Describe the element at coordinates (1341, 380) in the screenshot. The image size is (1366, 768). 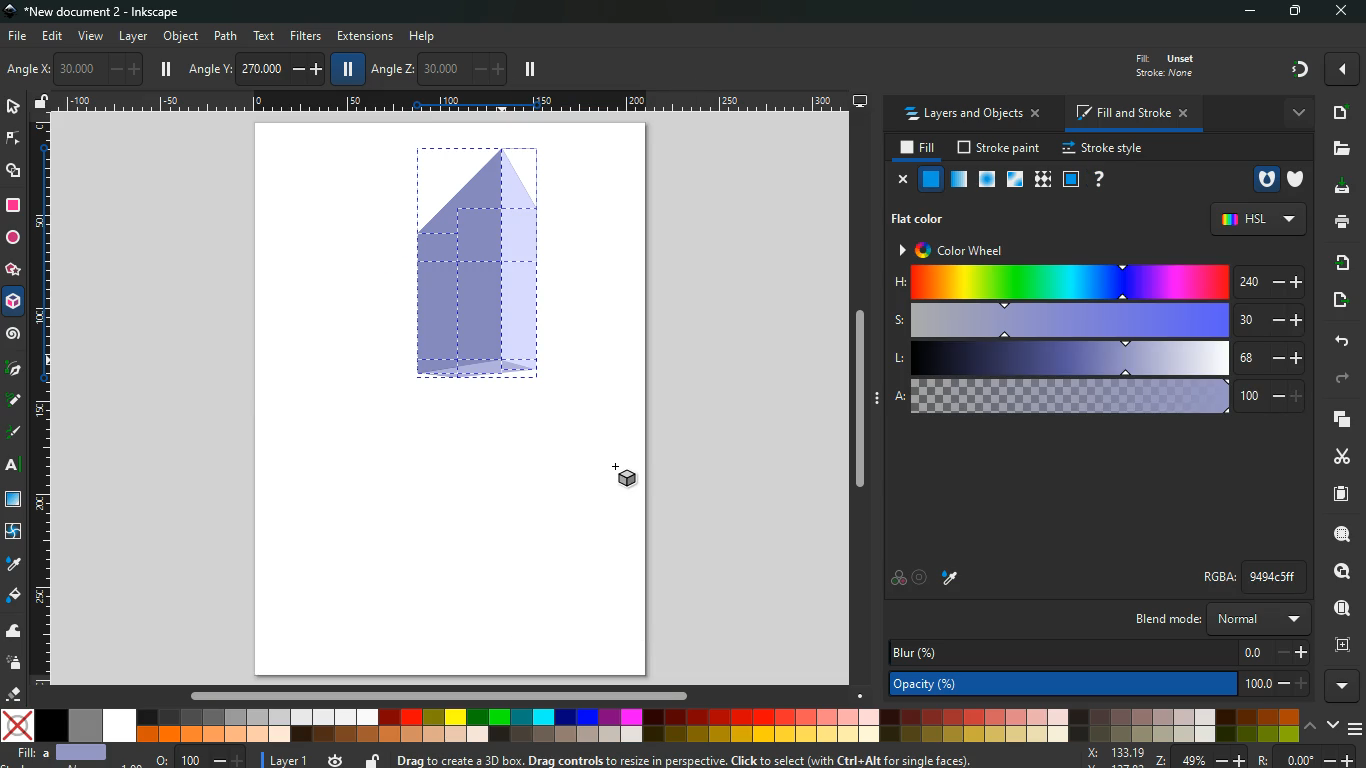
I see `forward` at that location.